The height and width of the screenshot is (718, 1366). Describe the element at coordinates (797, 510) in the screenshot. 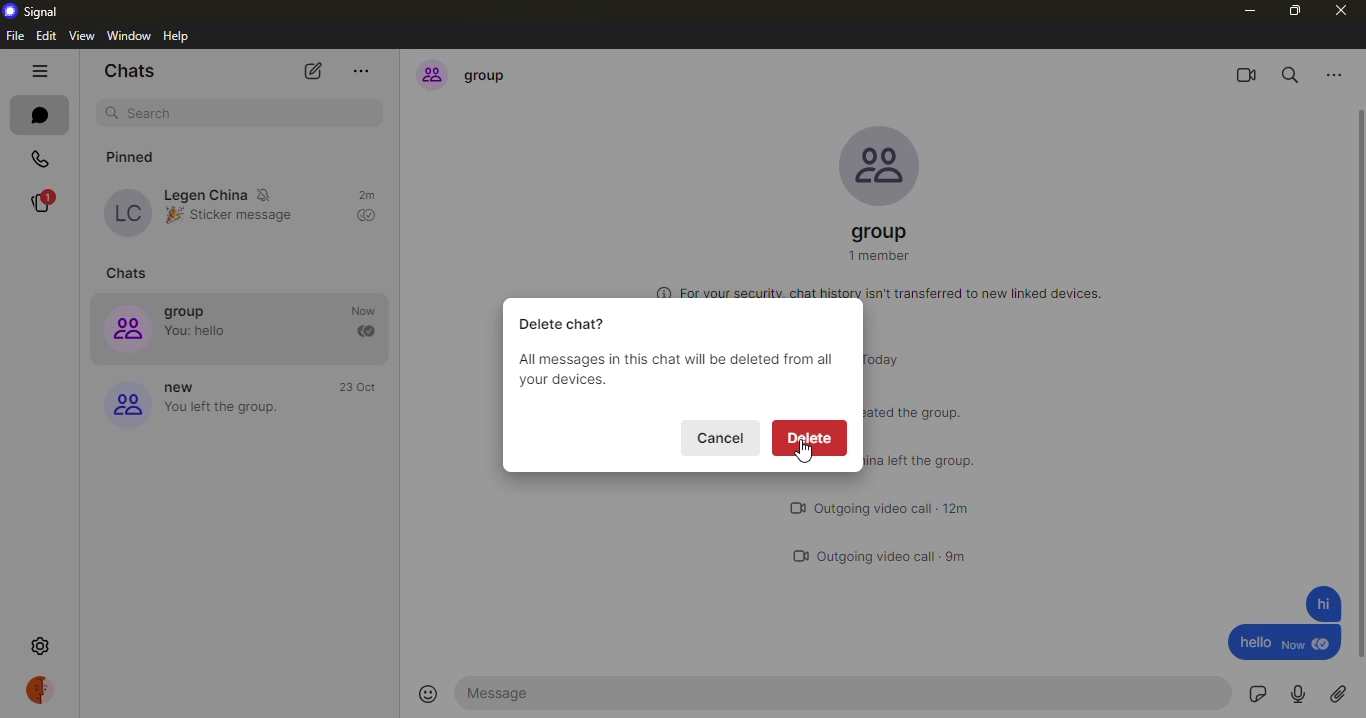

I see `video call logo` at that location.